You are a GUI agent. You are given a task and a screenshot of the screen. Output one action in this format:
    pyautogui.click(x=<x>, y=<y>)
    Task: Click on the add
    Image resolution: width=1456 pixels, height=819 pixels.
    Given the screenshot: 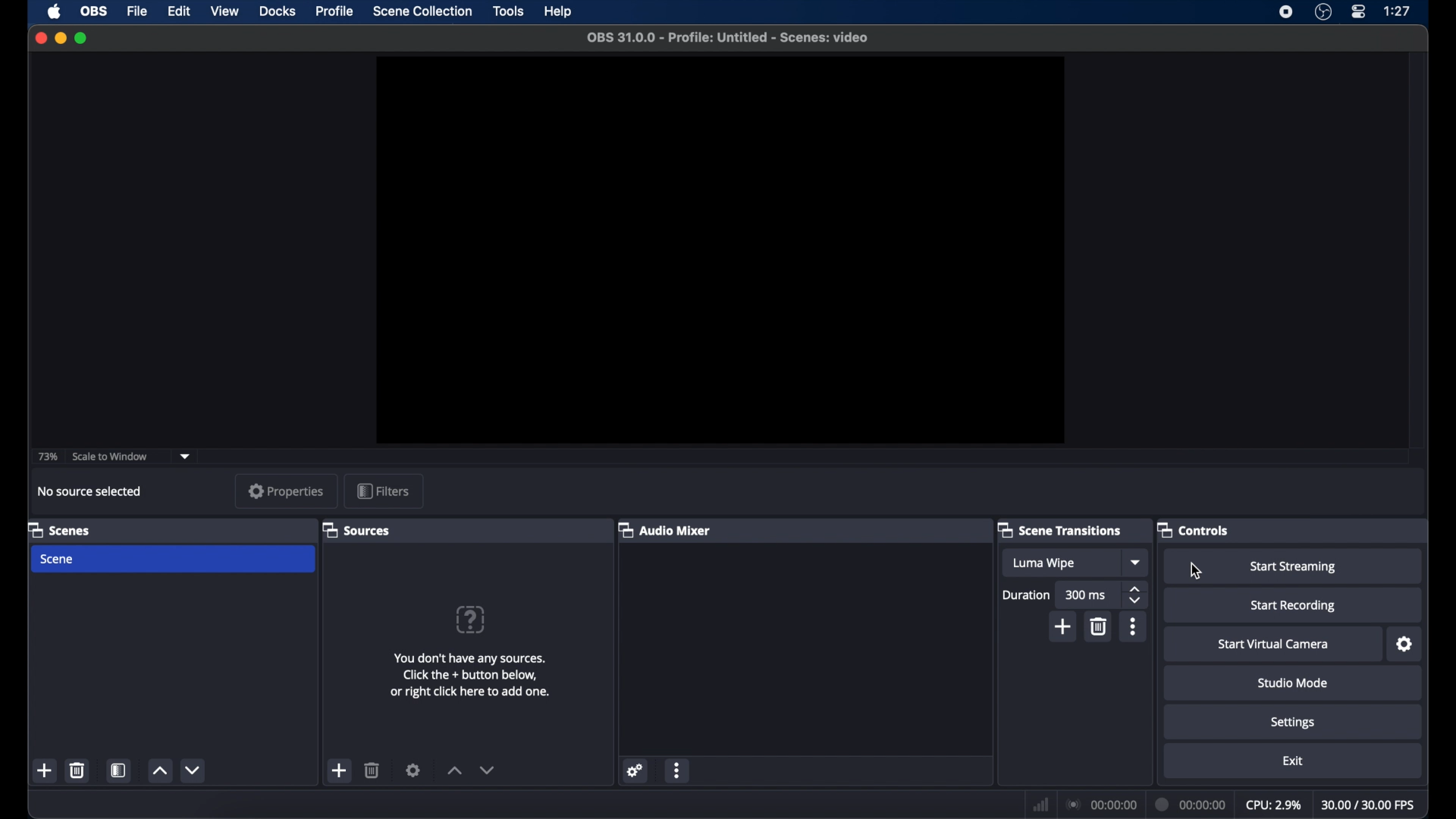 What is the action you would take?
    pyautogui.click(x=340, y=771)
    